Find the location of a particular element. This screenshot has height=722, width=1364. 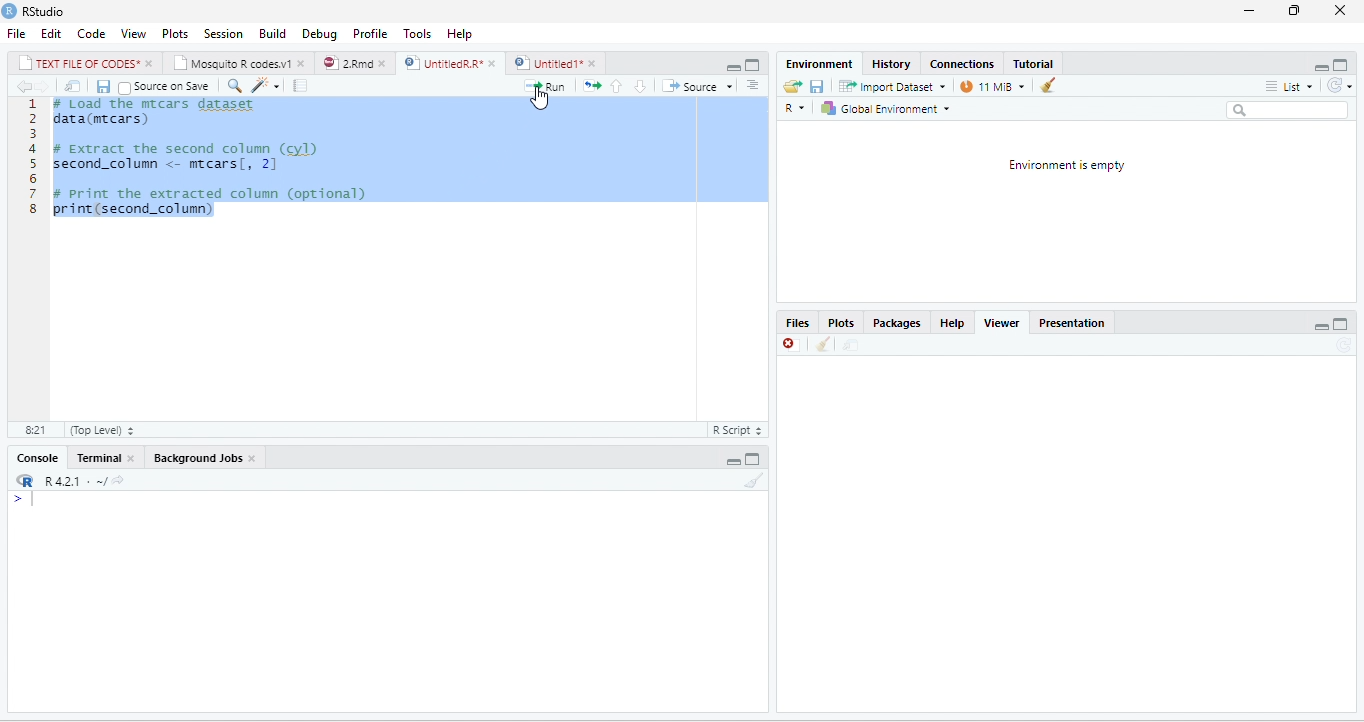

‘Mosquito R codes.v1 is located at coordinates (232, 62).